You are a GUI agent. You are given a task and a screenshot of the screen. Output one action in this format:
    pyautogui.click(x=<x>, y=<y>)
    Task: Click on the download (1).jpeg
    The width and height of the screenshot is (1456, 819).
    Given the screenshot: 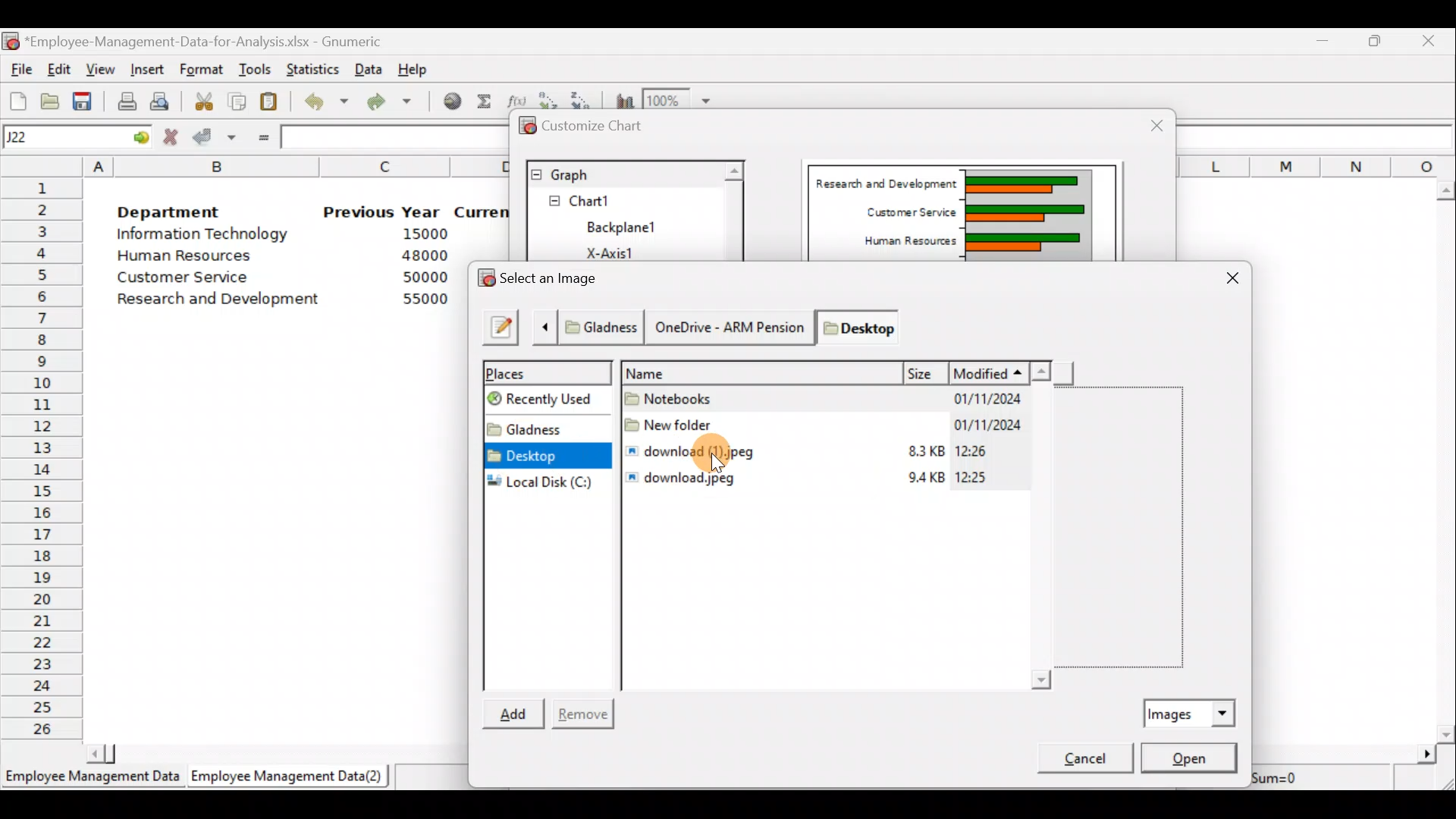 What is the action you would take?
    pyautogui.click(x=700, y=449)
    